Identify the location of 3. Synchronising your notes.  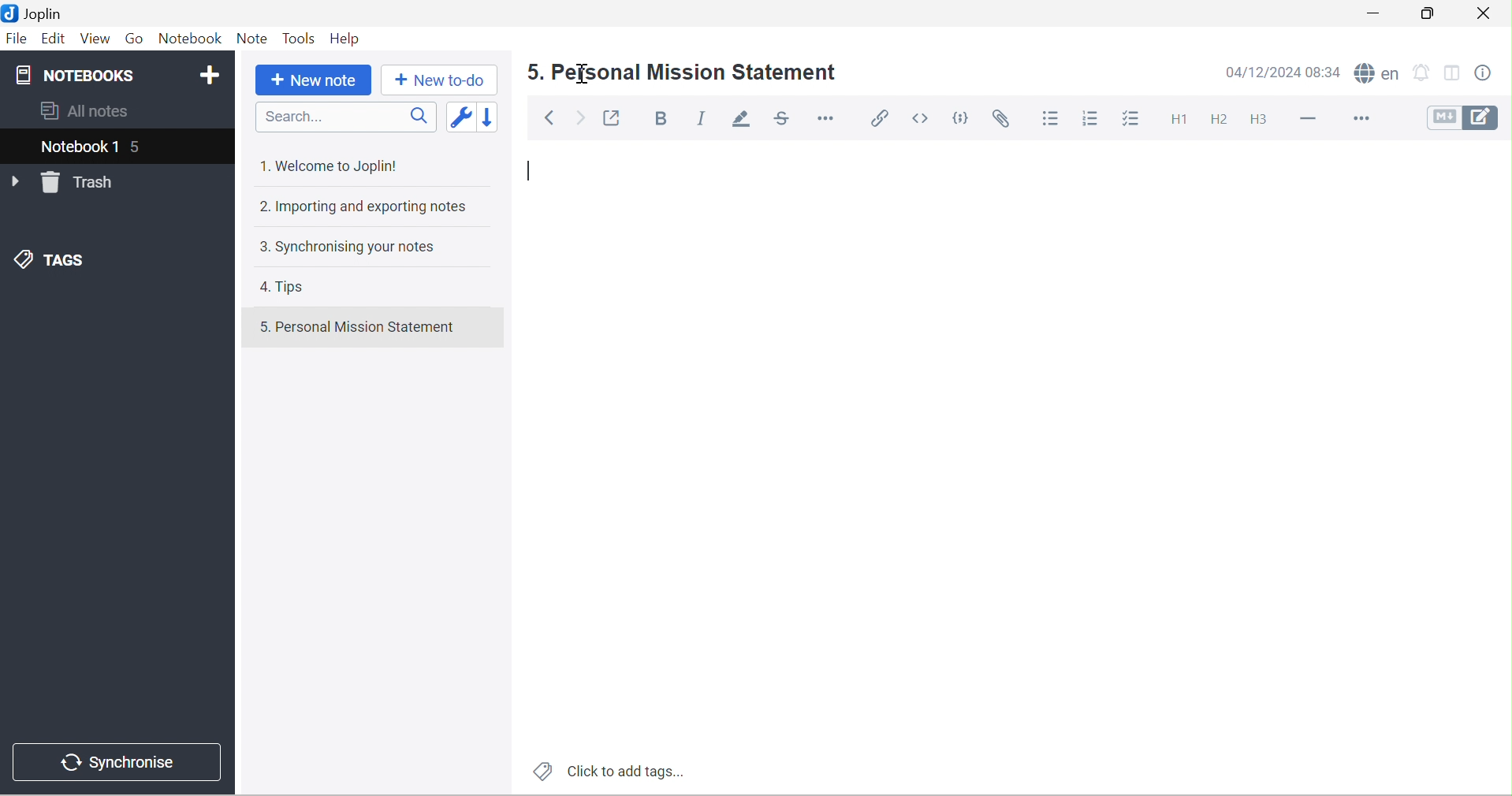
(351, 250).